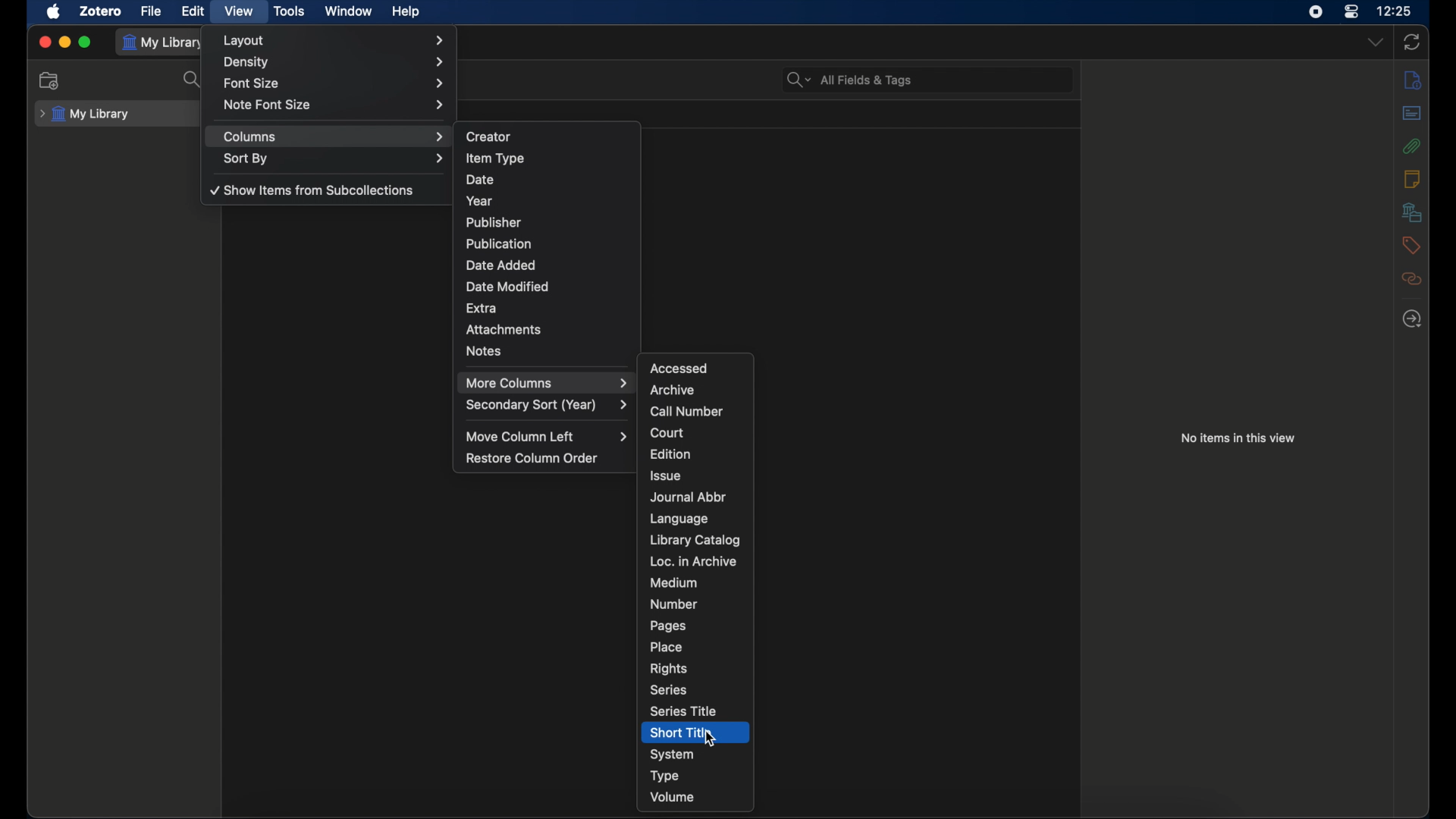 Image resolution: width=1456 pixels, height=819 pixels. Describe the element at coordinates (310, 190) in the screenshot. I see `show items from subcollections` at that location.